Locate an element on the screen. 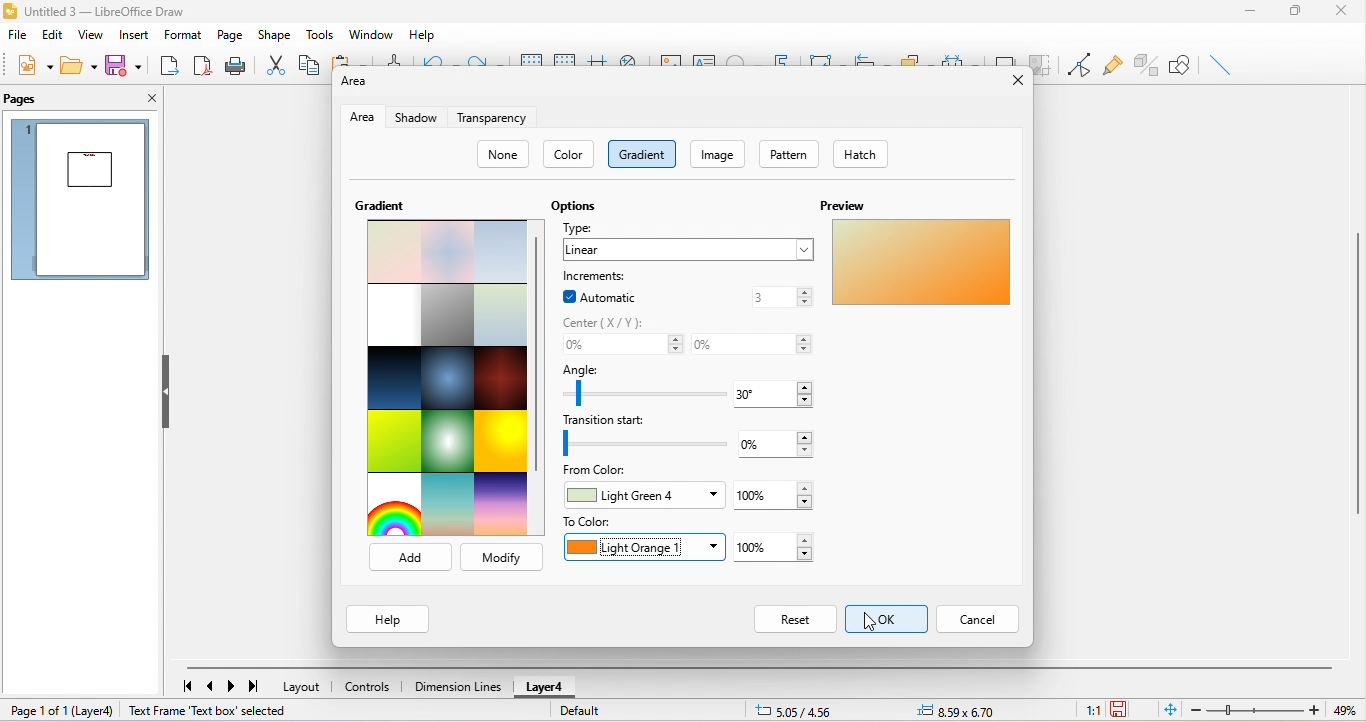  light green 4 is located at coordinates (643, 498).